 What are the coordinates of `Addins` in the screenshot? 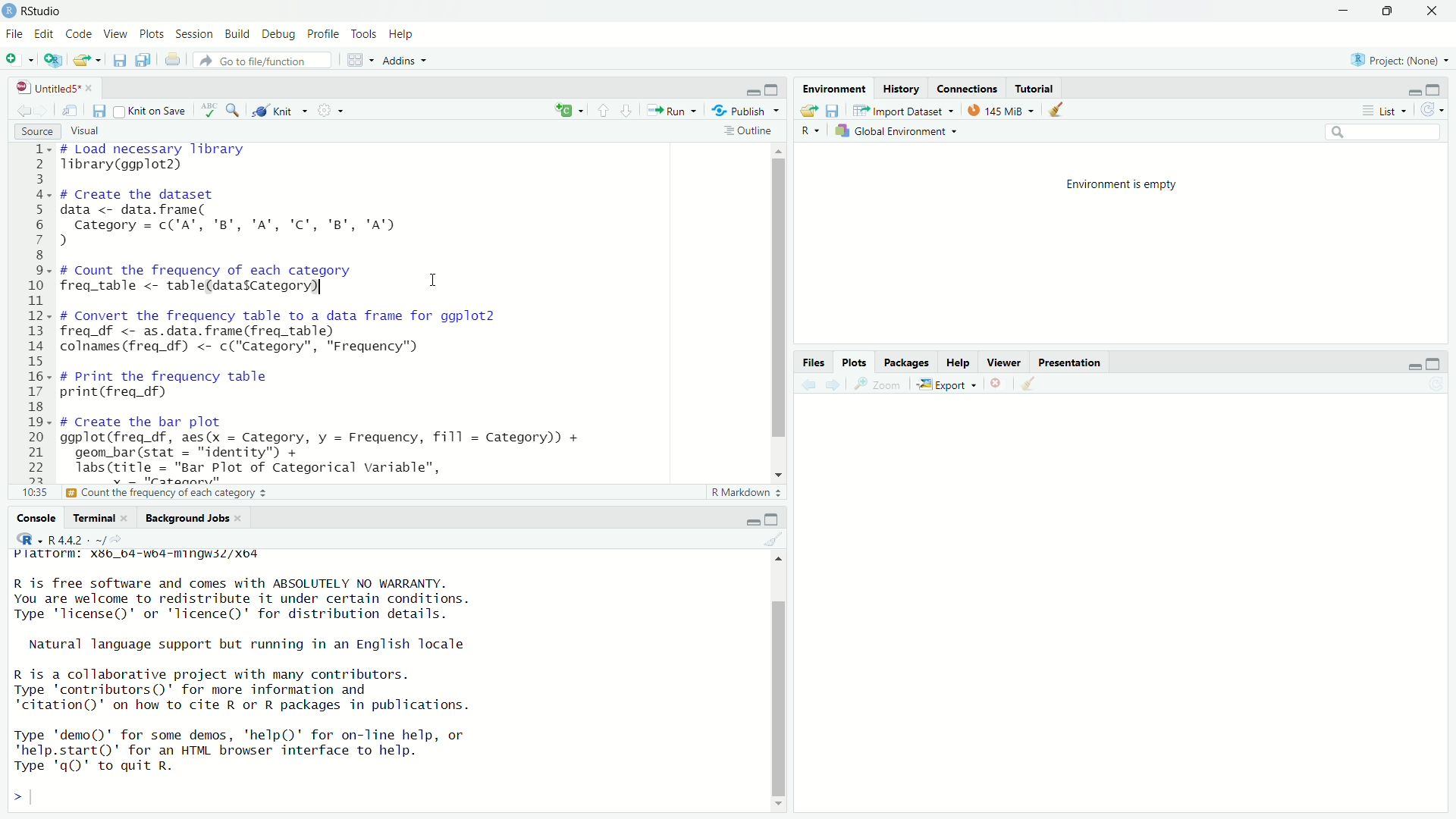 It's located at (406, 63).